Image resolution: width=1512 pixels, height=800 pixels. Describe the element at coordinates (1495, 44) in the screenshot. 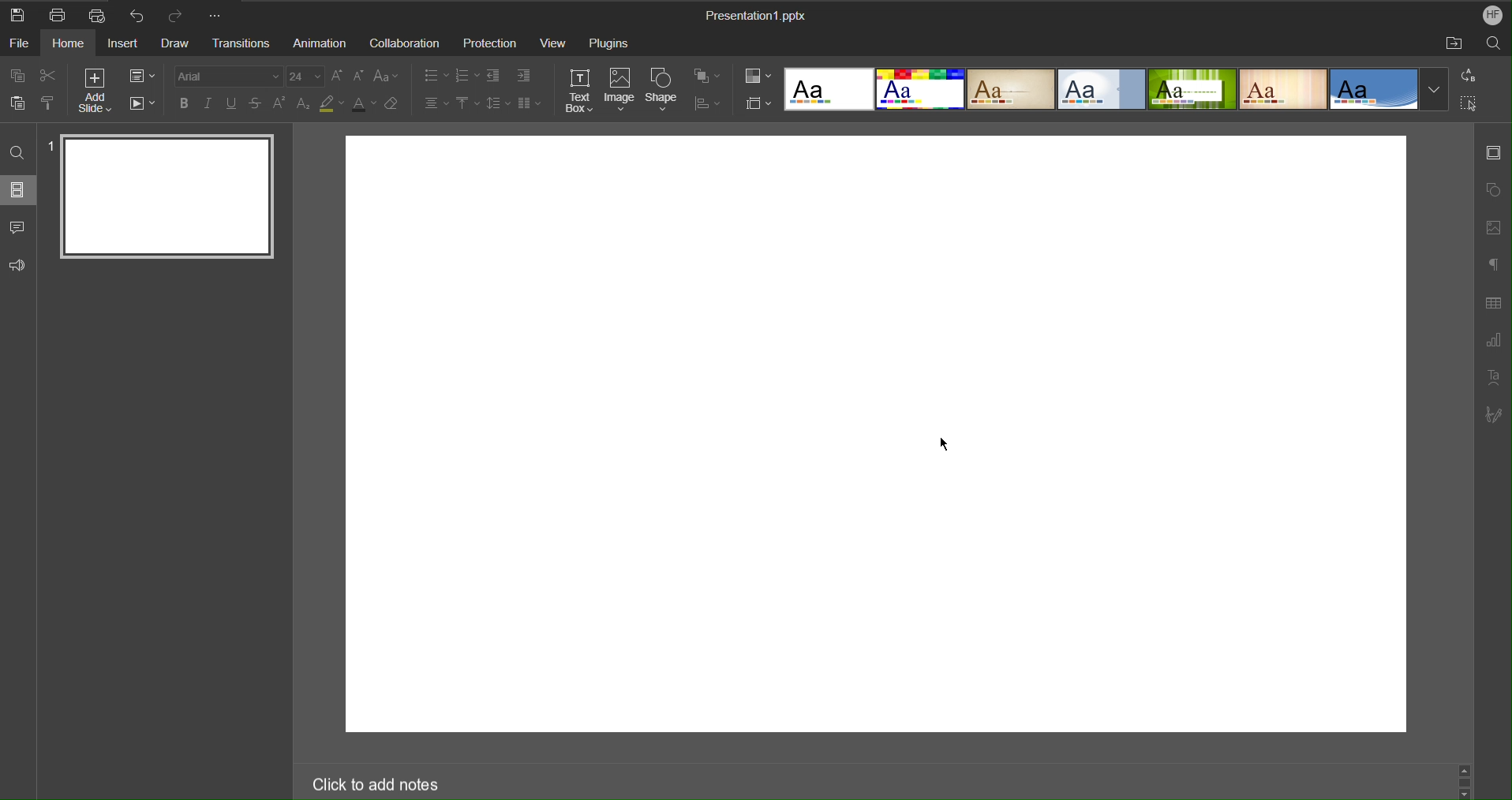

I see `Search` at that location.